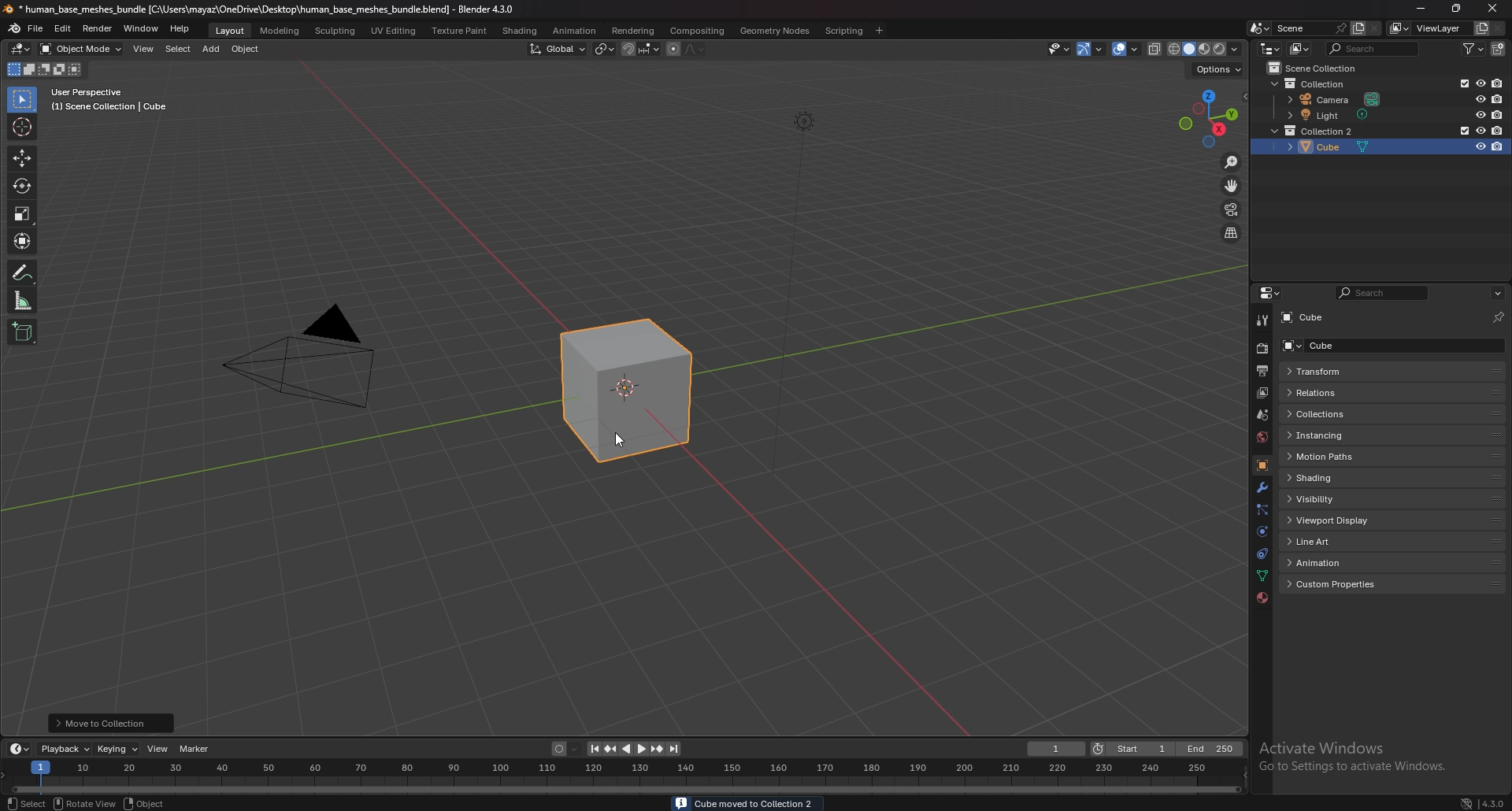  Describe the element at coordinates (261, 9) in the screenshot. I see `title` at that location.